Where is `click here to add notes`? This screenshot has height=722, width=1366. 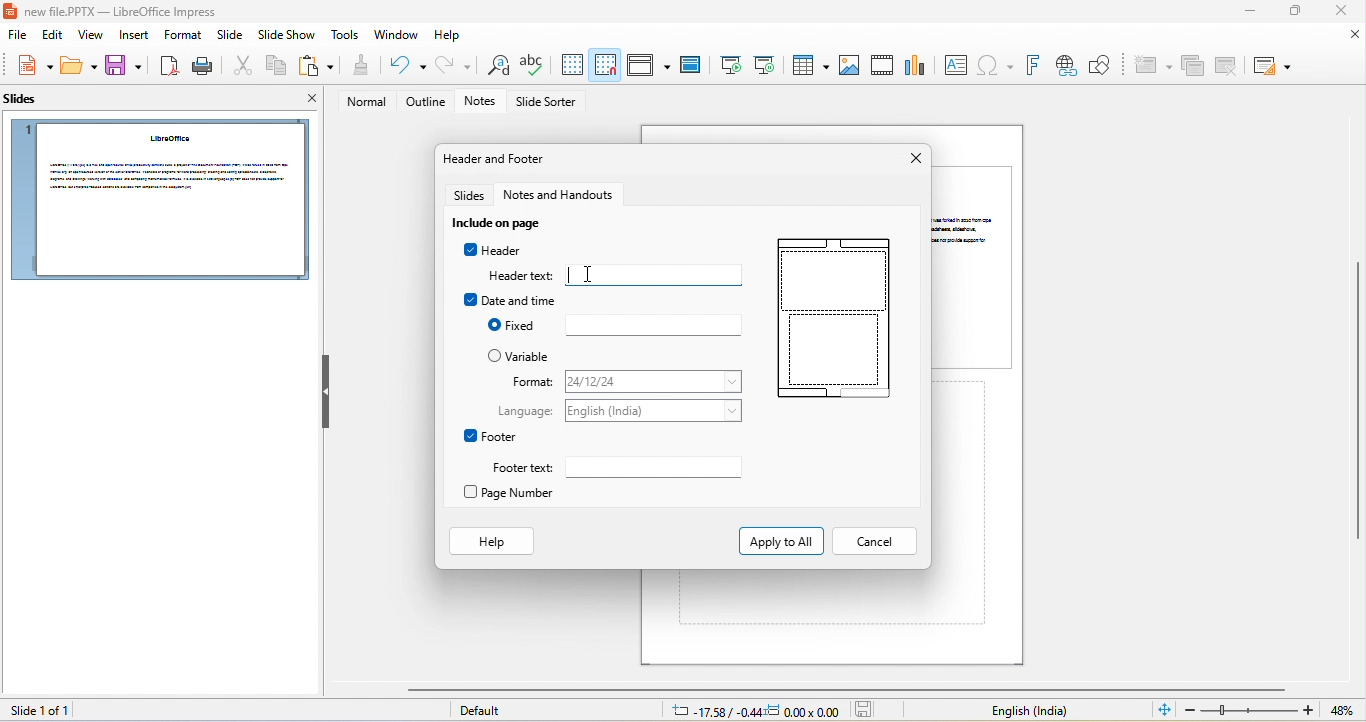
click here to add notes is located at coordinates (962, 504).